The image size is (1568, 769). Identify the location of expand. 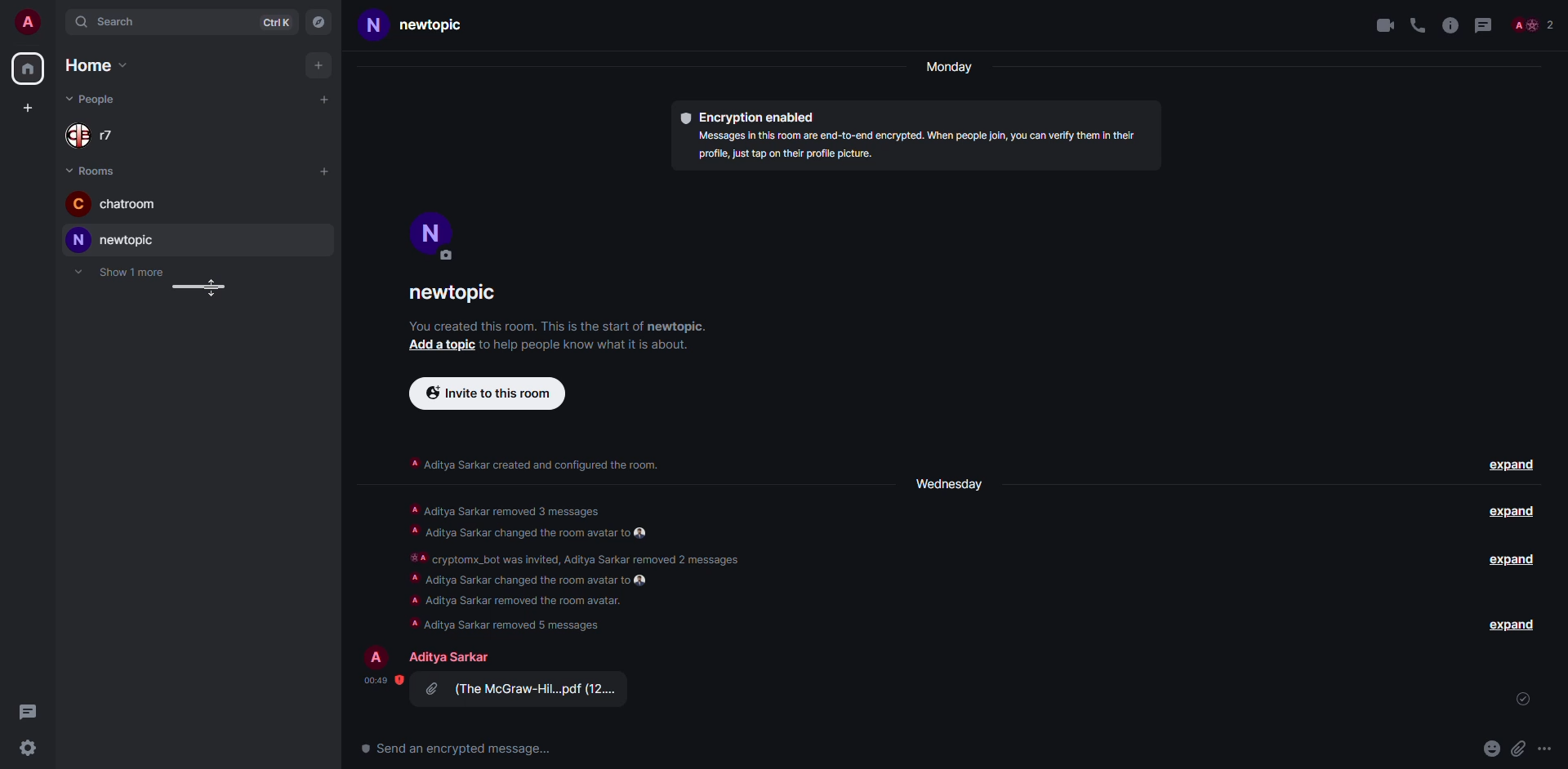
(1512, 464).